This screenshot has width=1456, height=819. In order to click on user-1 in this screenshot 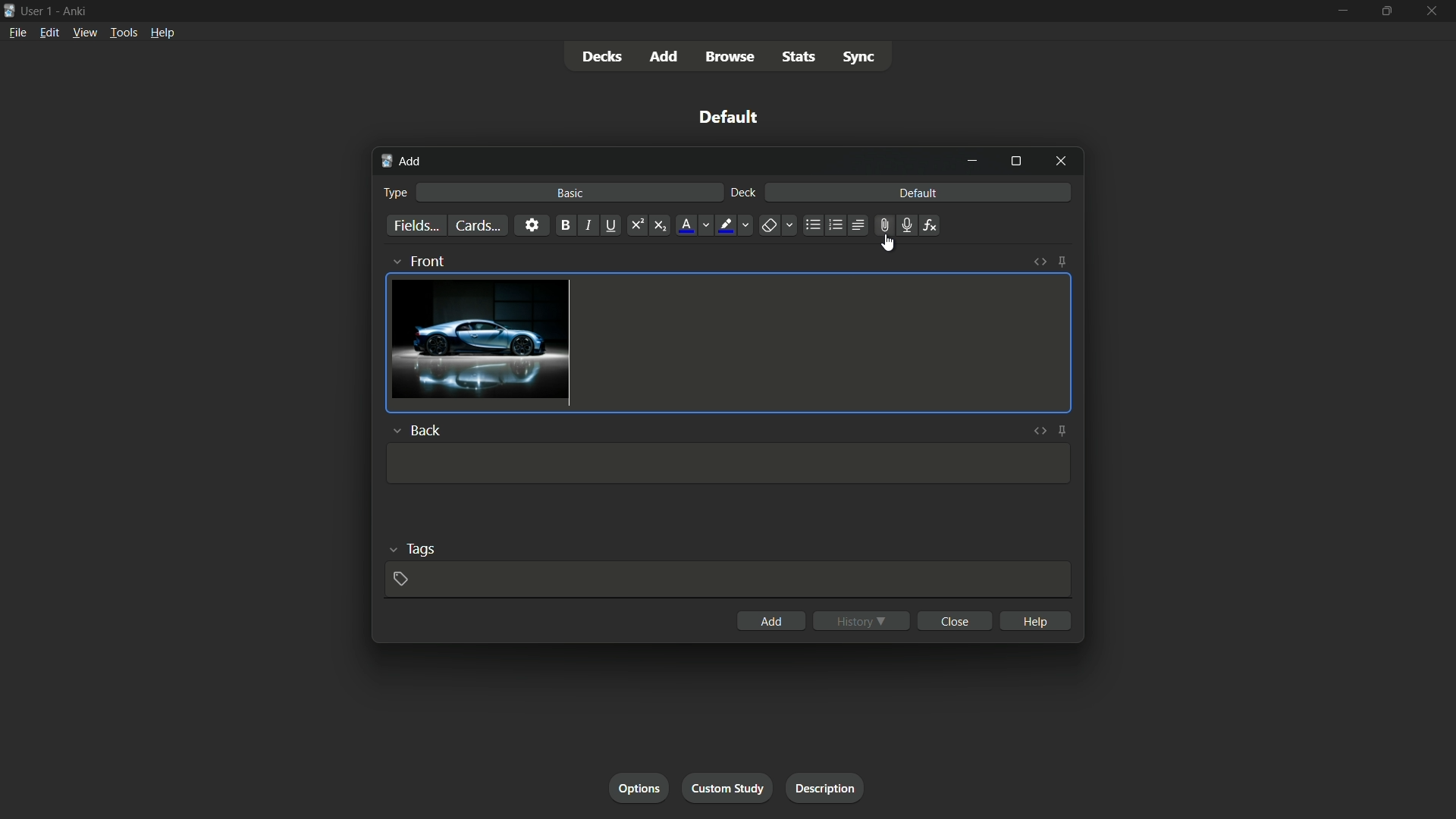, I will do `click(37, 9)`.